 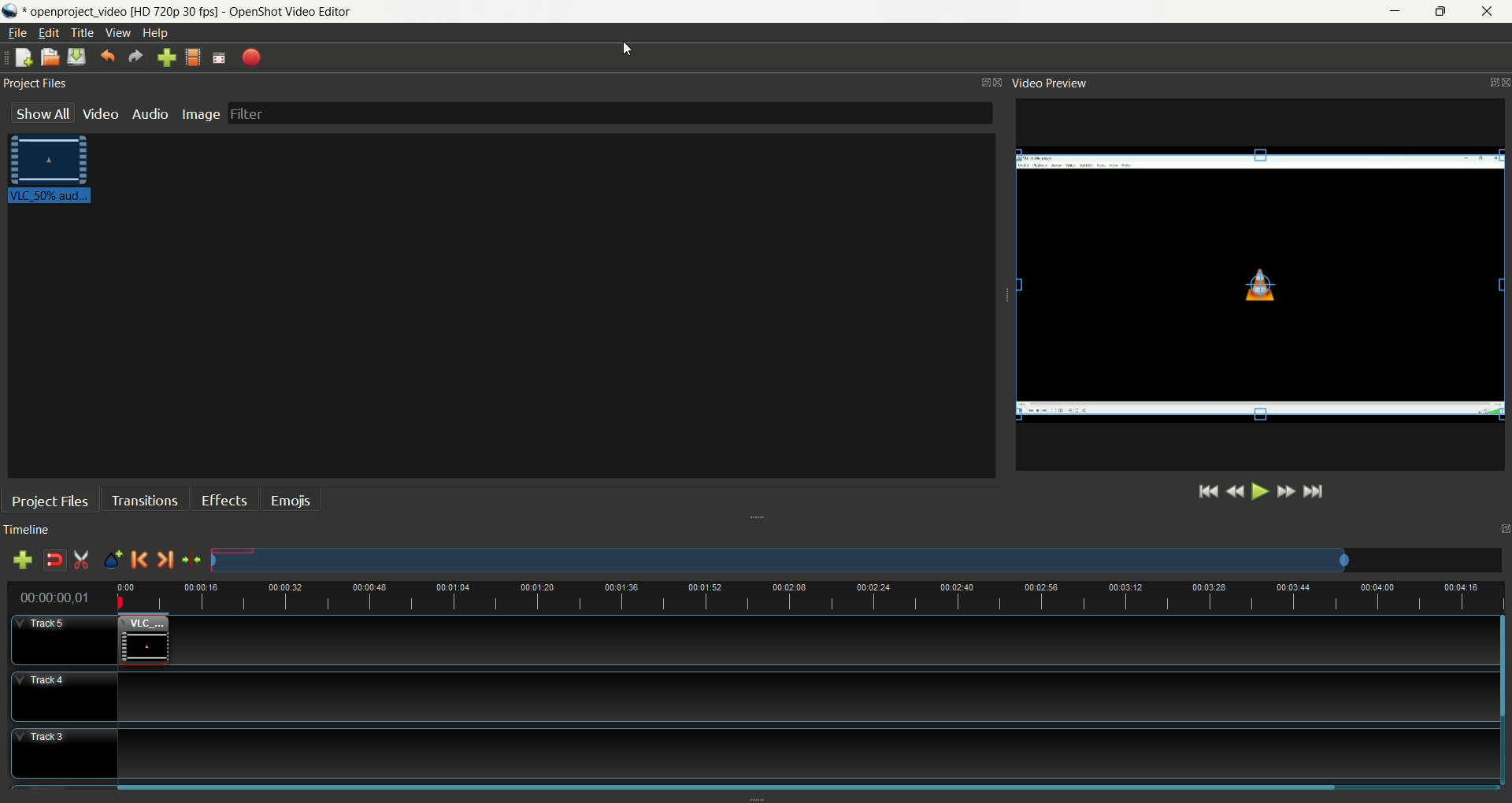 I want to click on zoom factor, so click(x=856, y=561).